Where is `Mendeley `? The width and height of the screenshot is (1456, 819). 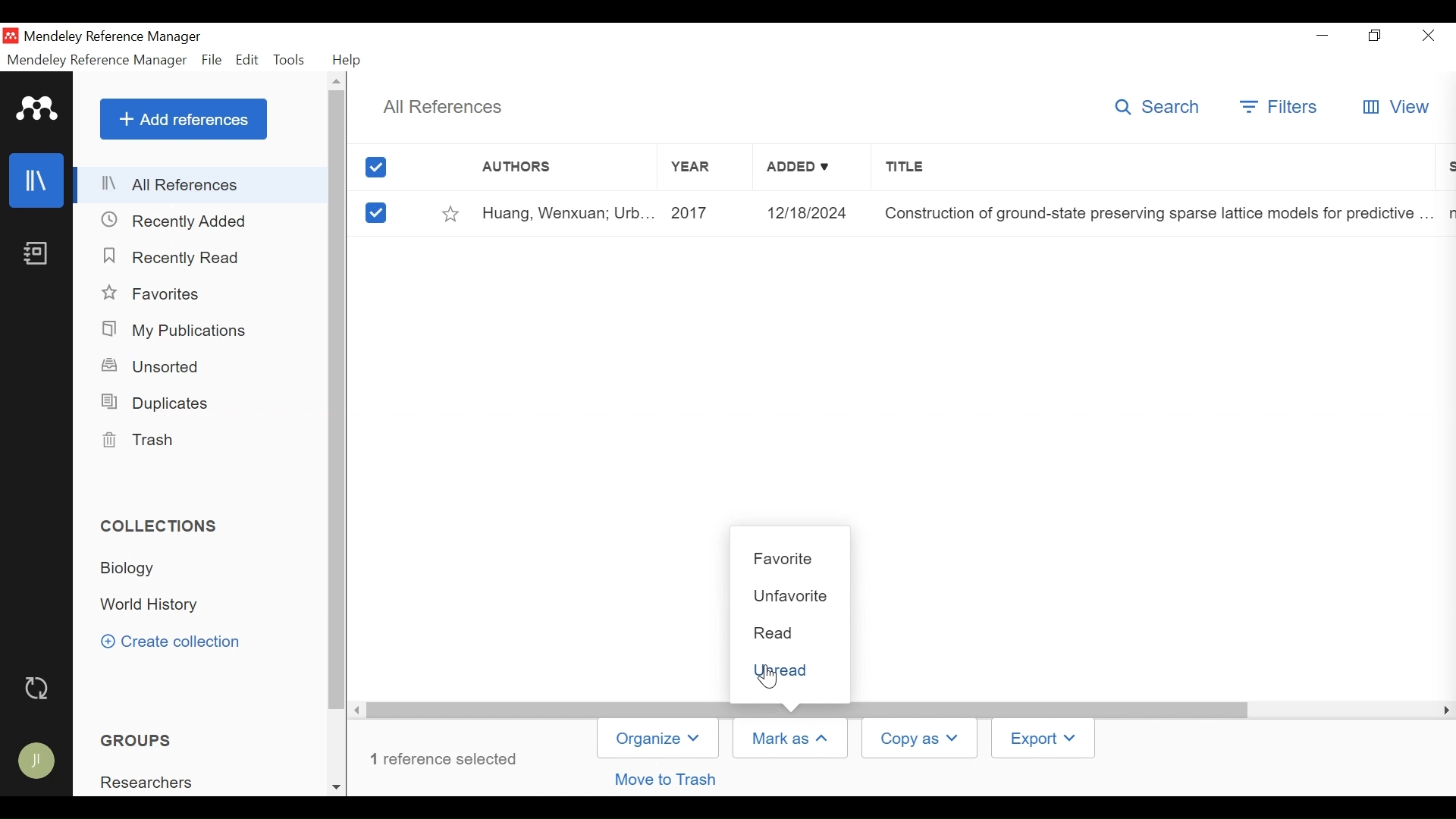 Mendeley  is located at coordinates (39, 110).